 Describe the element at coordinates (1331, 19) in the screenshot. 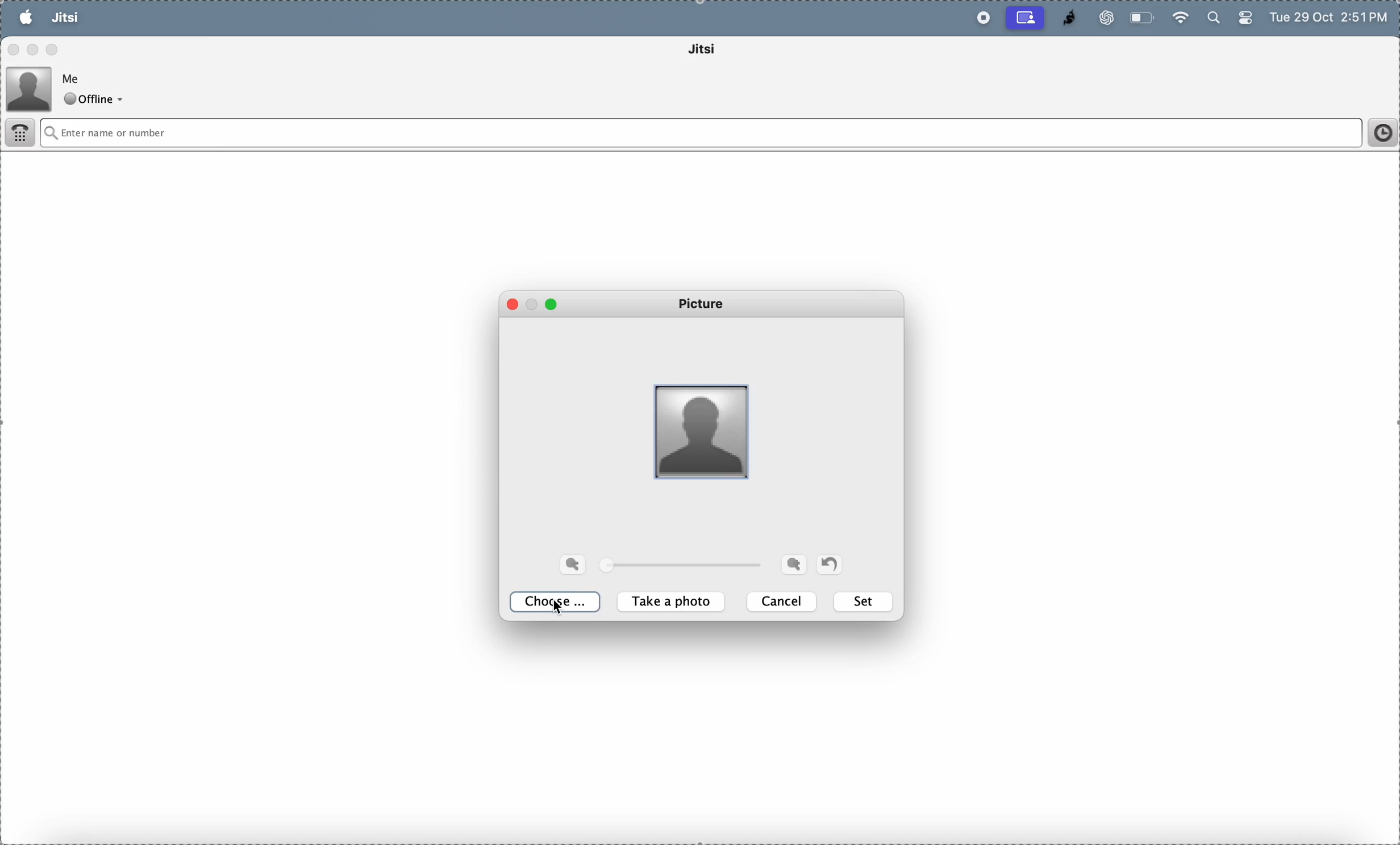

I see `Tue 29 Oct 2:51 PM` at that location.